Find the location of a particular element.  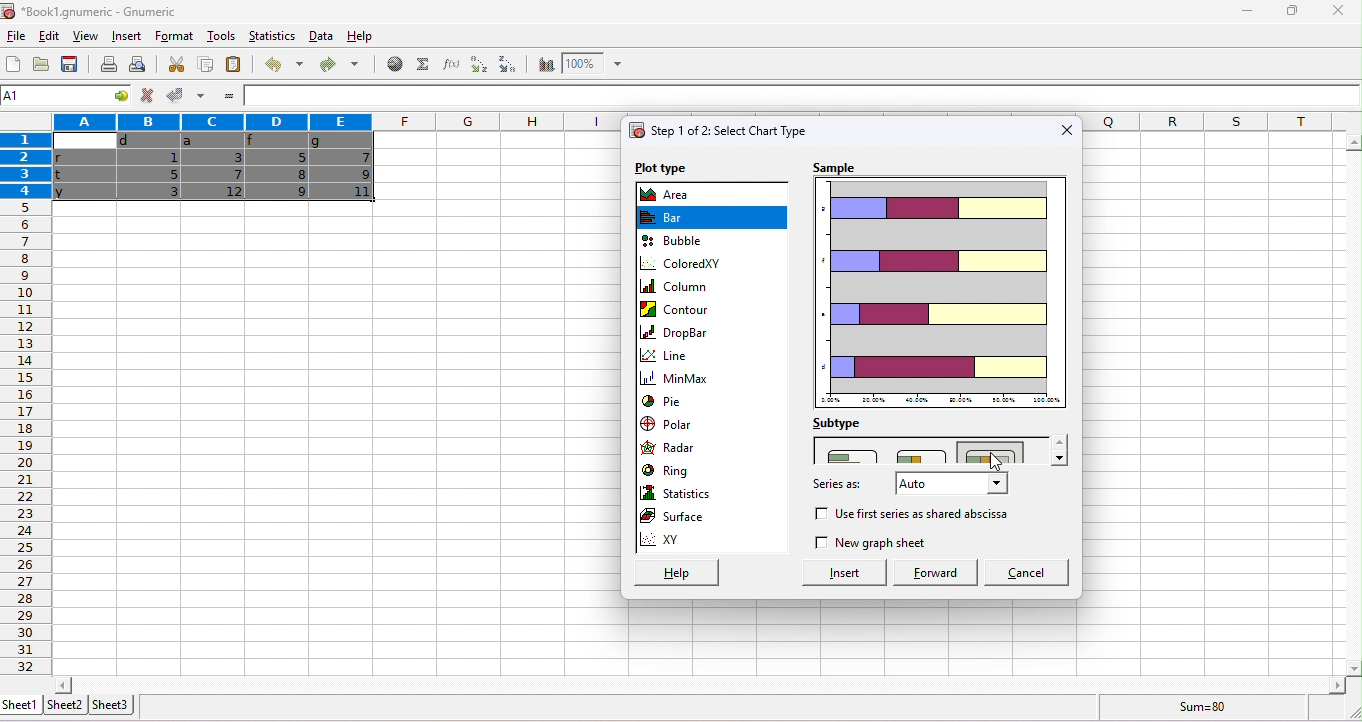

xy is located at coordinates (711, 542).